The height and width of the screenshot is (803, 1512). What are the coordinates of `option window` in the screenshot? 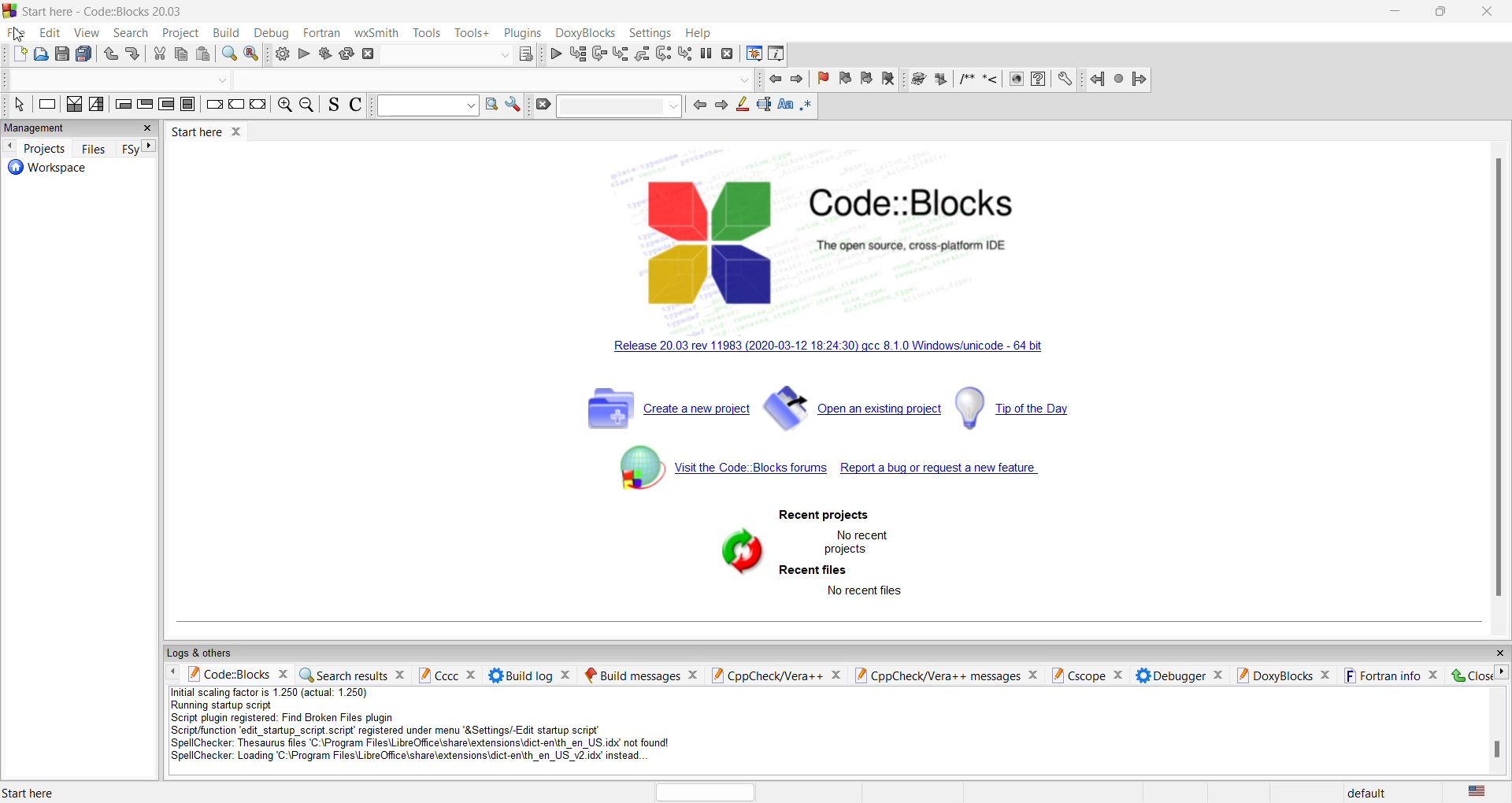 It's located at (491, 105).